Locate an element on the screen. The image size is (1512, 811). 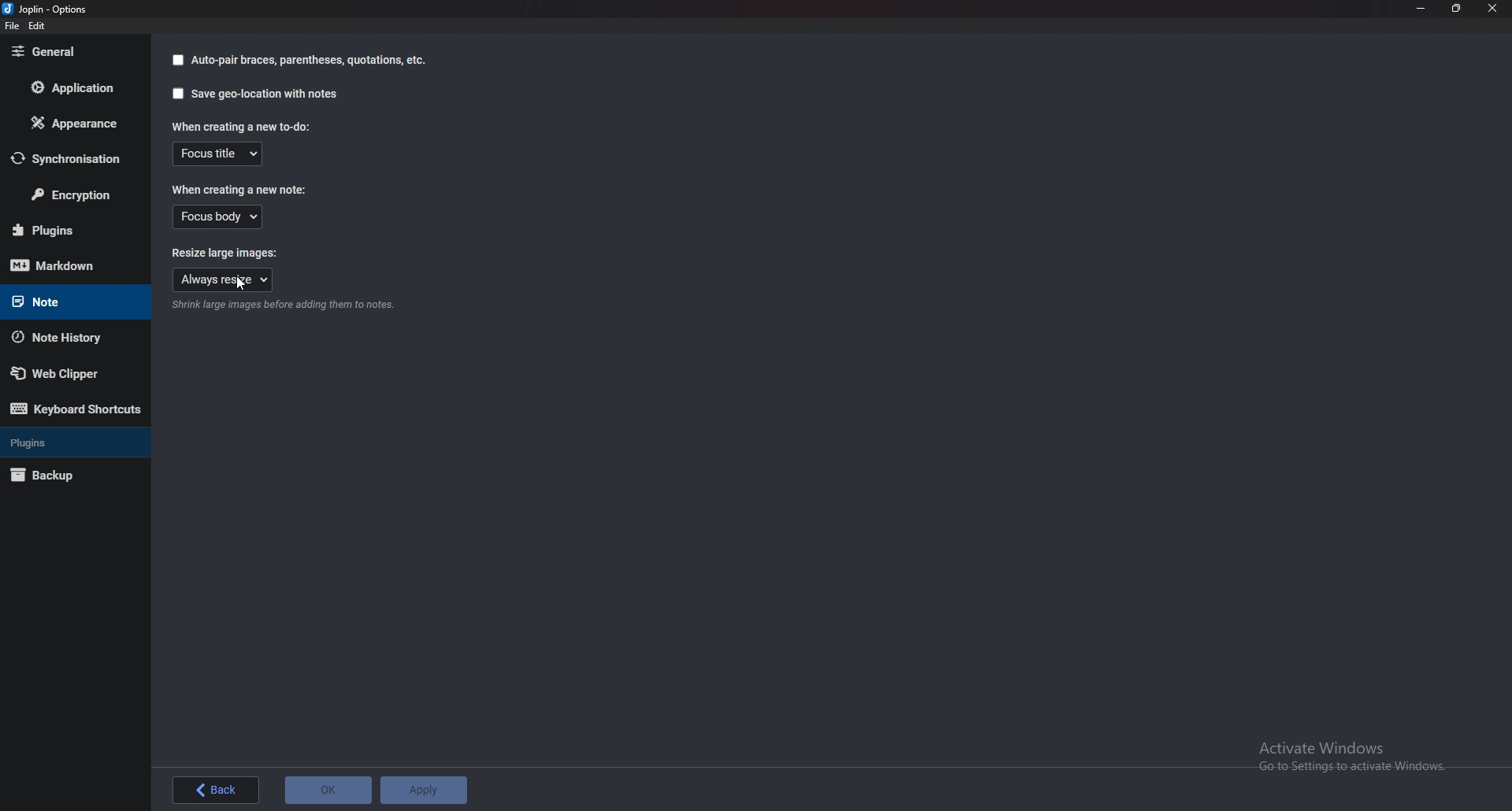
Always resize is located at coordinates (222, 281).